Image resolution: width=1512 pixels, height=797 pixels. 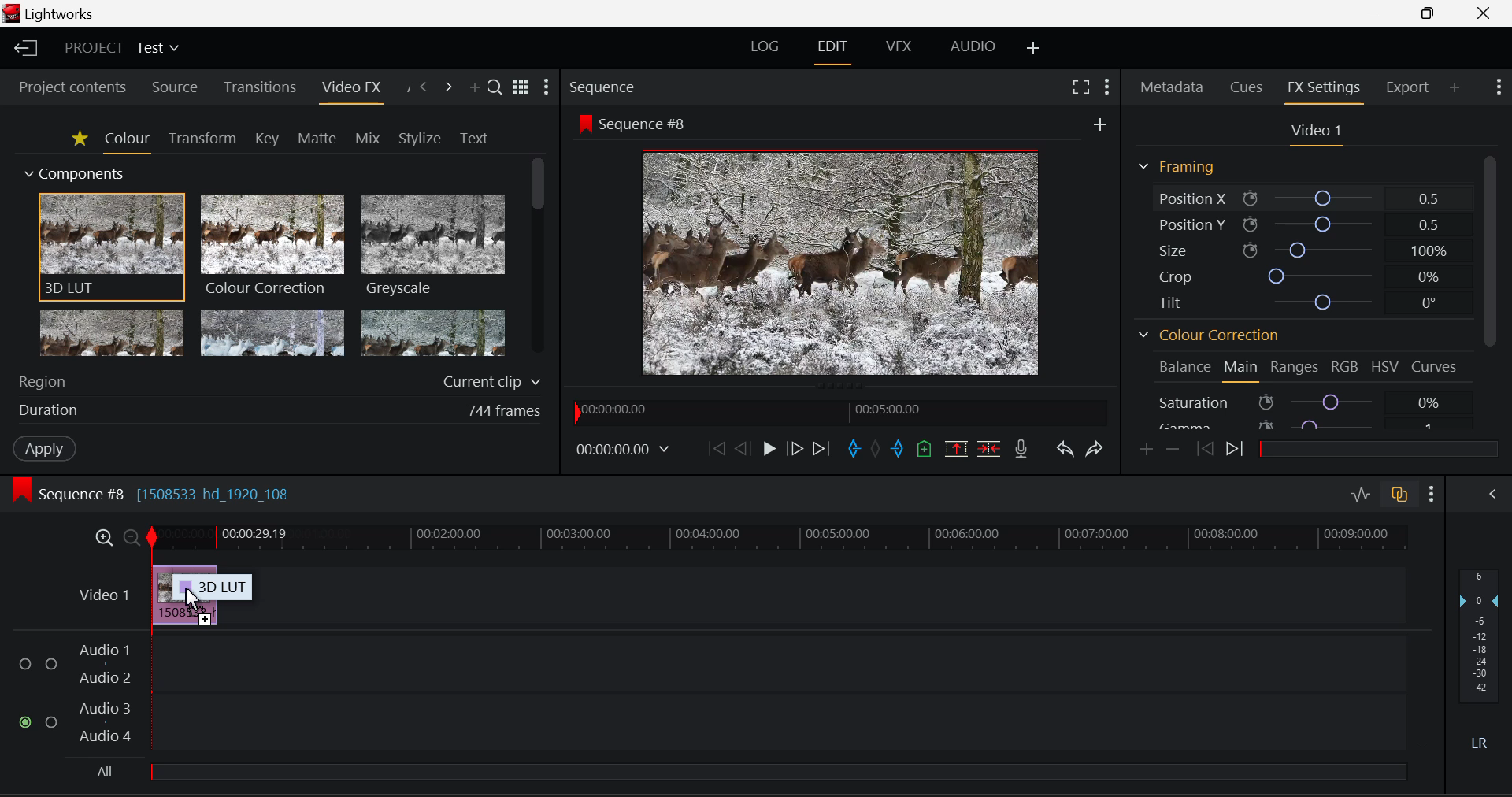 I want to click on Project Timeline Navigator, so click(x=838, y=413).